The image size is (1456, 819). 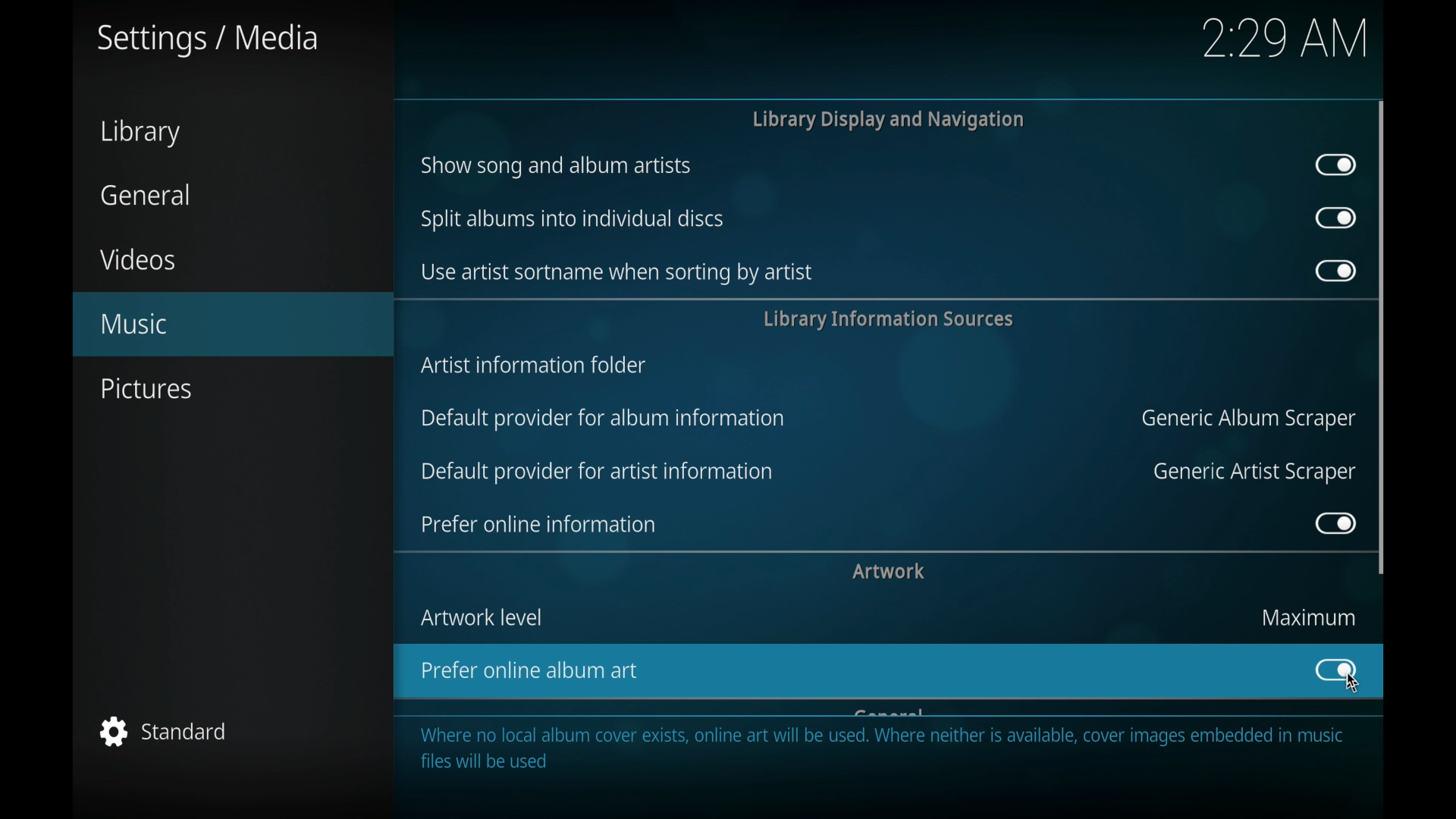 What do you see at coordinates (1336, 218) in the screenshot?
I see `toggle button` at bounding box center [1336, 218].